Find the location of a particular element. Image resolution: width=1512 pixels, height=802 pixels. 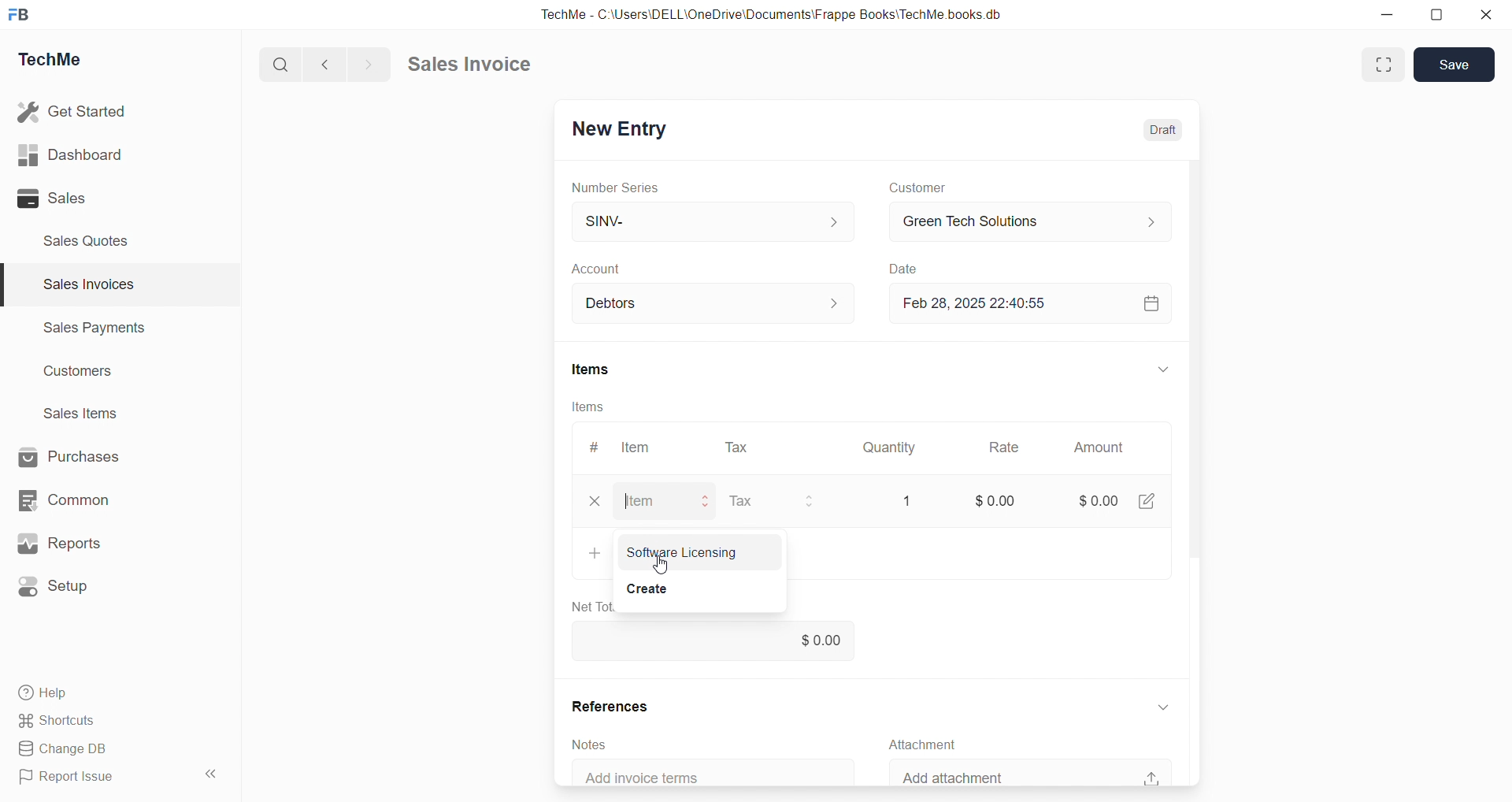

Amount is located at coordinates (1099, 447).